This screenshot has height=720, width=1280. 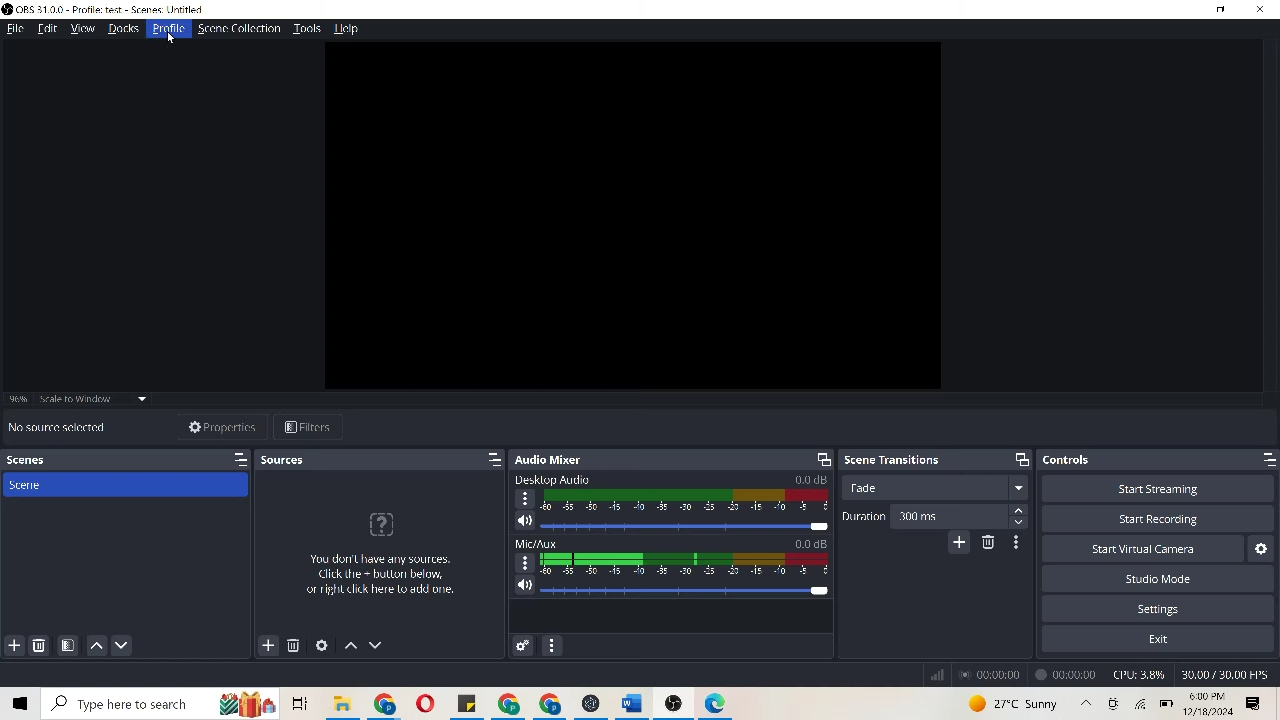 I want to click on help, so click(x=347, y=29).